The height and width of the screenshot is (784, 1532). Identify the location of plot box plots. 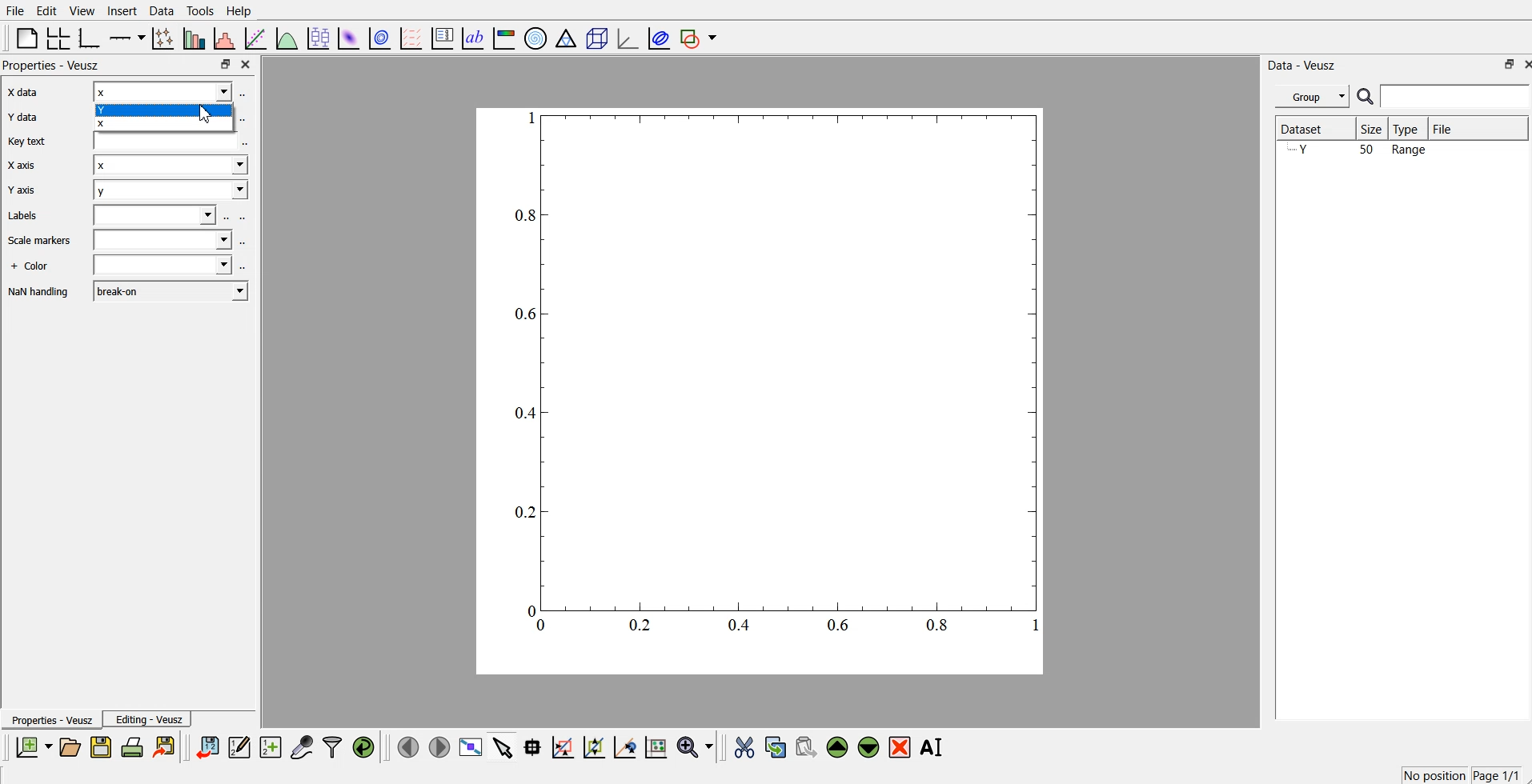
(321, 38).